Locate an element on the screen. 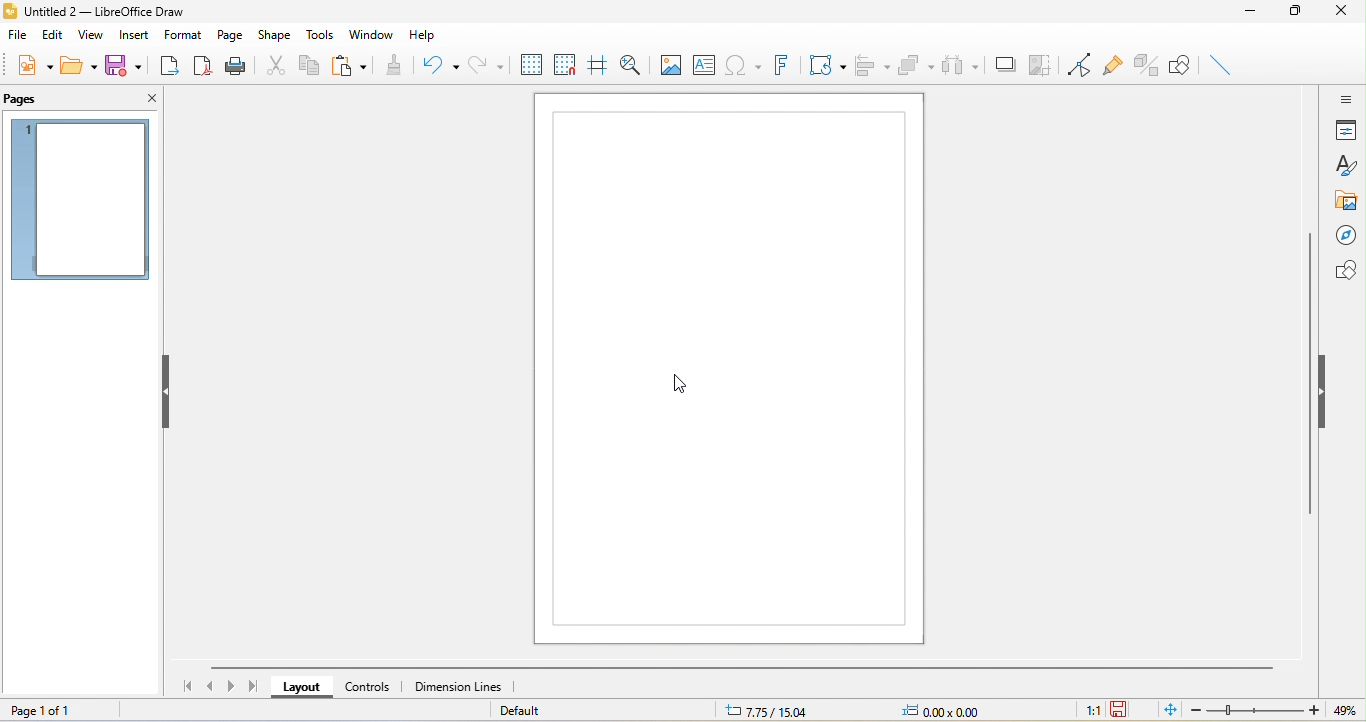 The width and height of the screenshot is (1366, 722). text box is located at coordinates (702, 66).